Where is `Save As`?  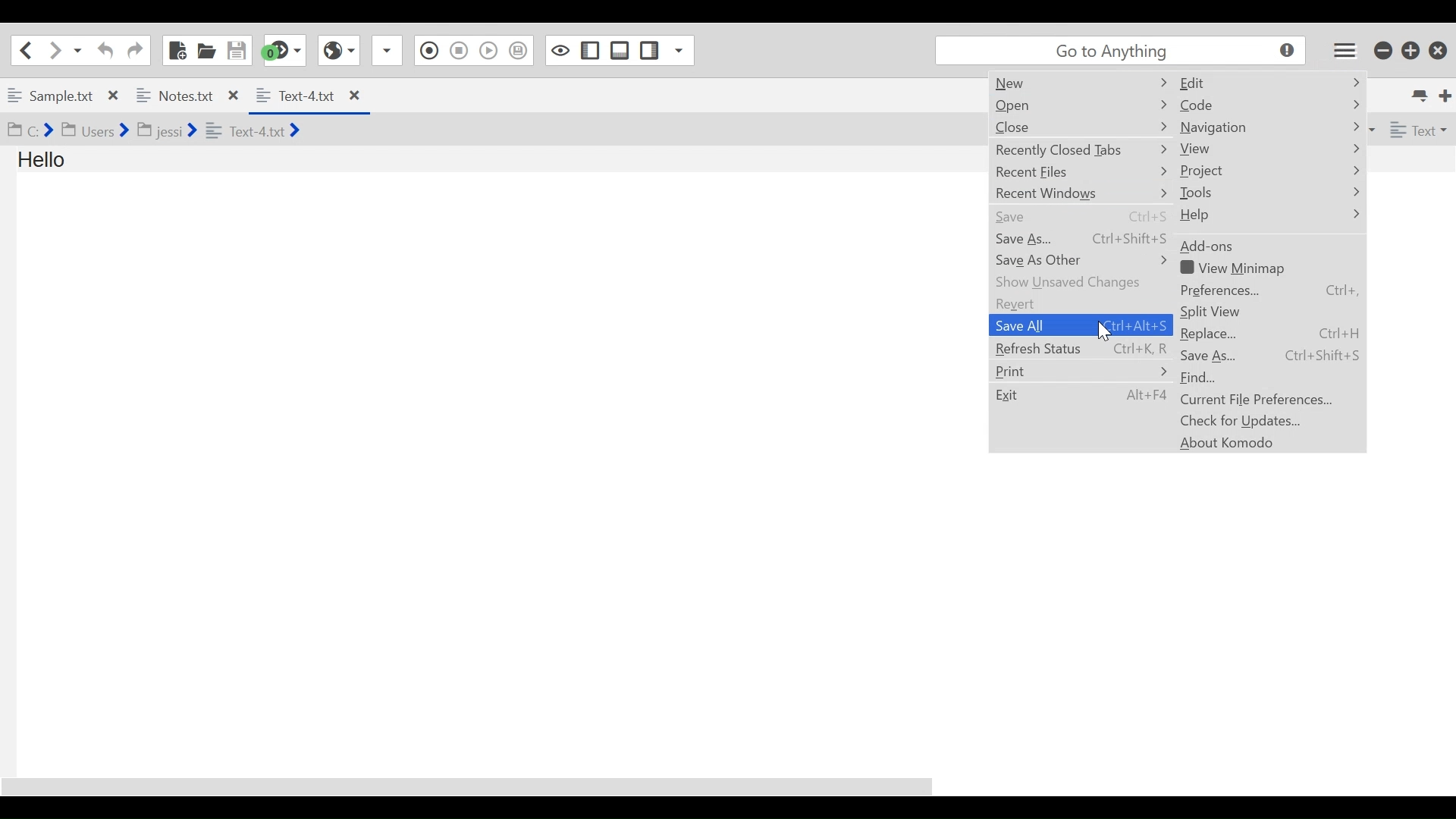
Save As is located at coordinates (1270, 355).